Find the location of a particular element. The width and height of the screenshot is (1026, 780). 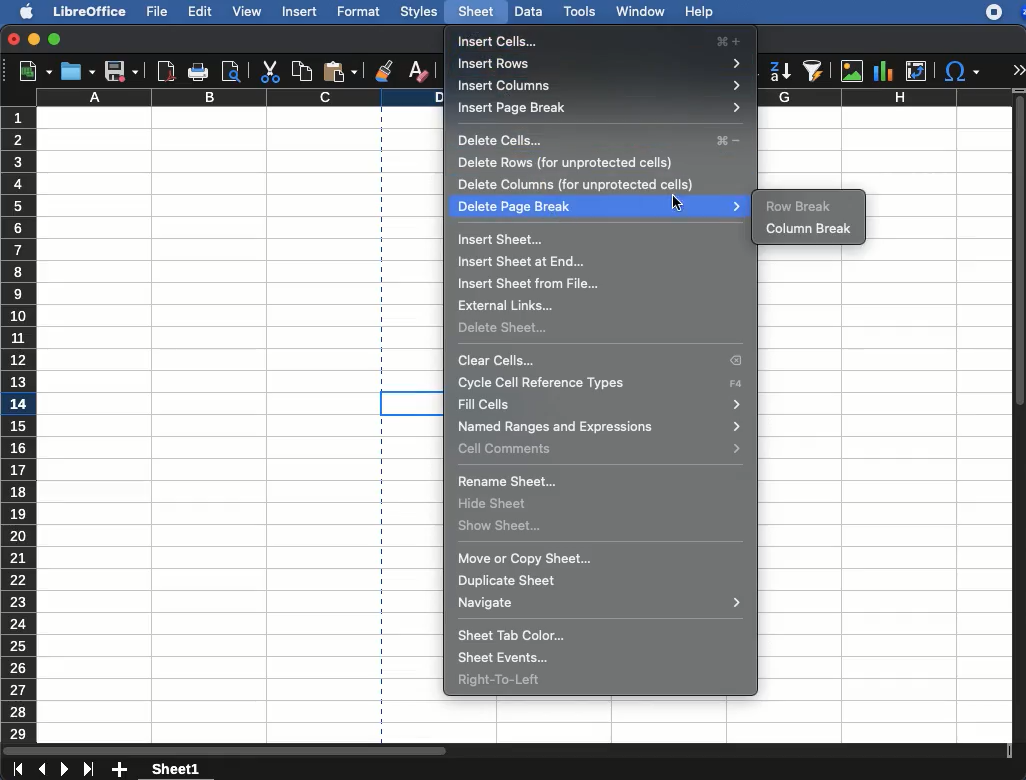

column break is located at coordinates (809, 230).